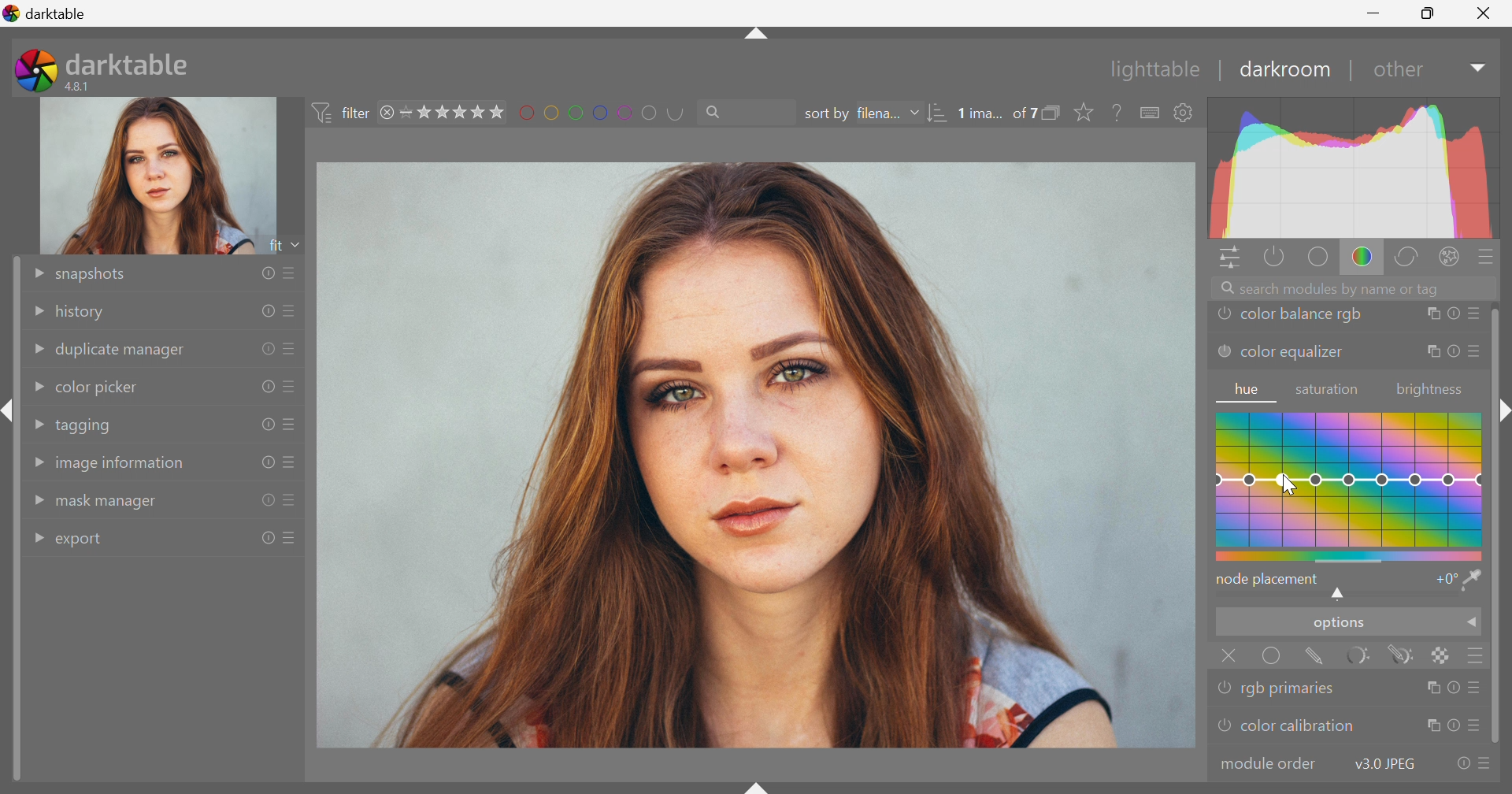 The width and height of the screenshot is (1512, 794). I want to click on cursor, so click(1290, 486).